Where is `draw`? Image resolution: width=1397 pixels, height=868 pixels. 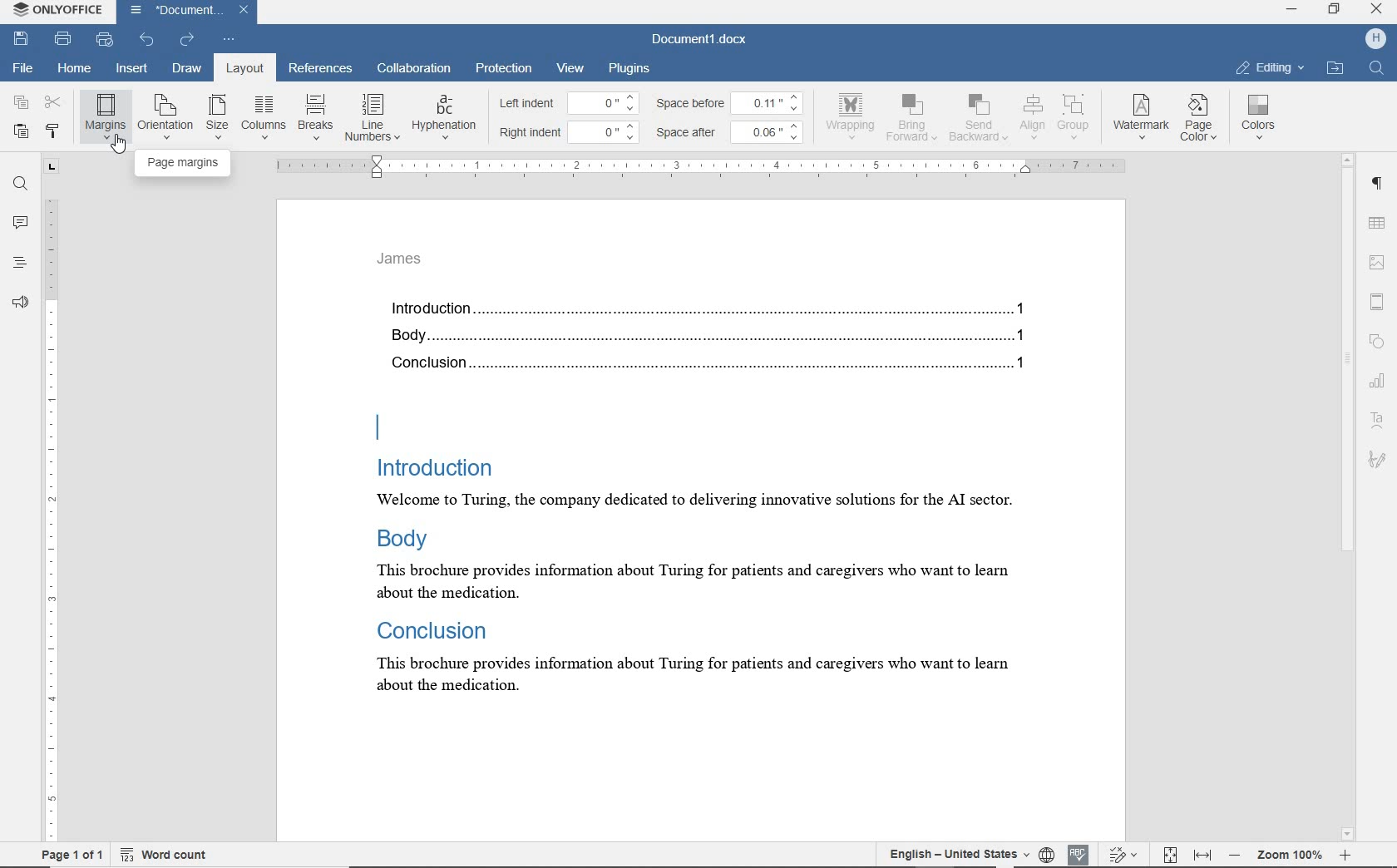 draw is located at coordinates (187, 67).